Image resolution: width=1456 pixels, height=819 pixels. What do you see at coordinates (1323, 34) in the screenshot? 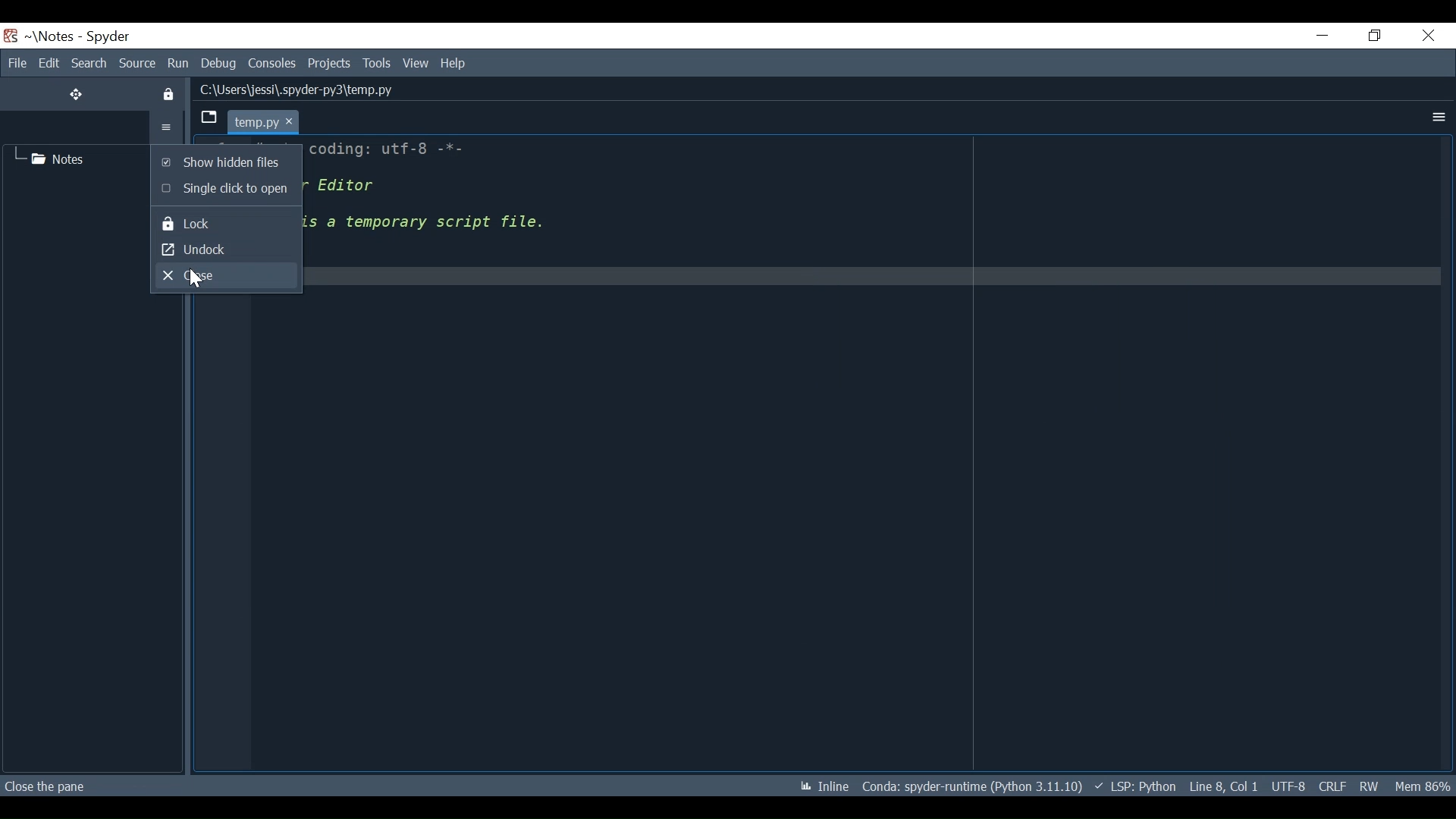
I see `Minimize` at bounding box center [1323, 34].